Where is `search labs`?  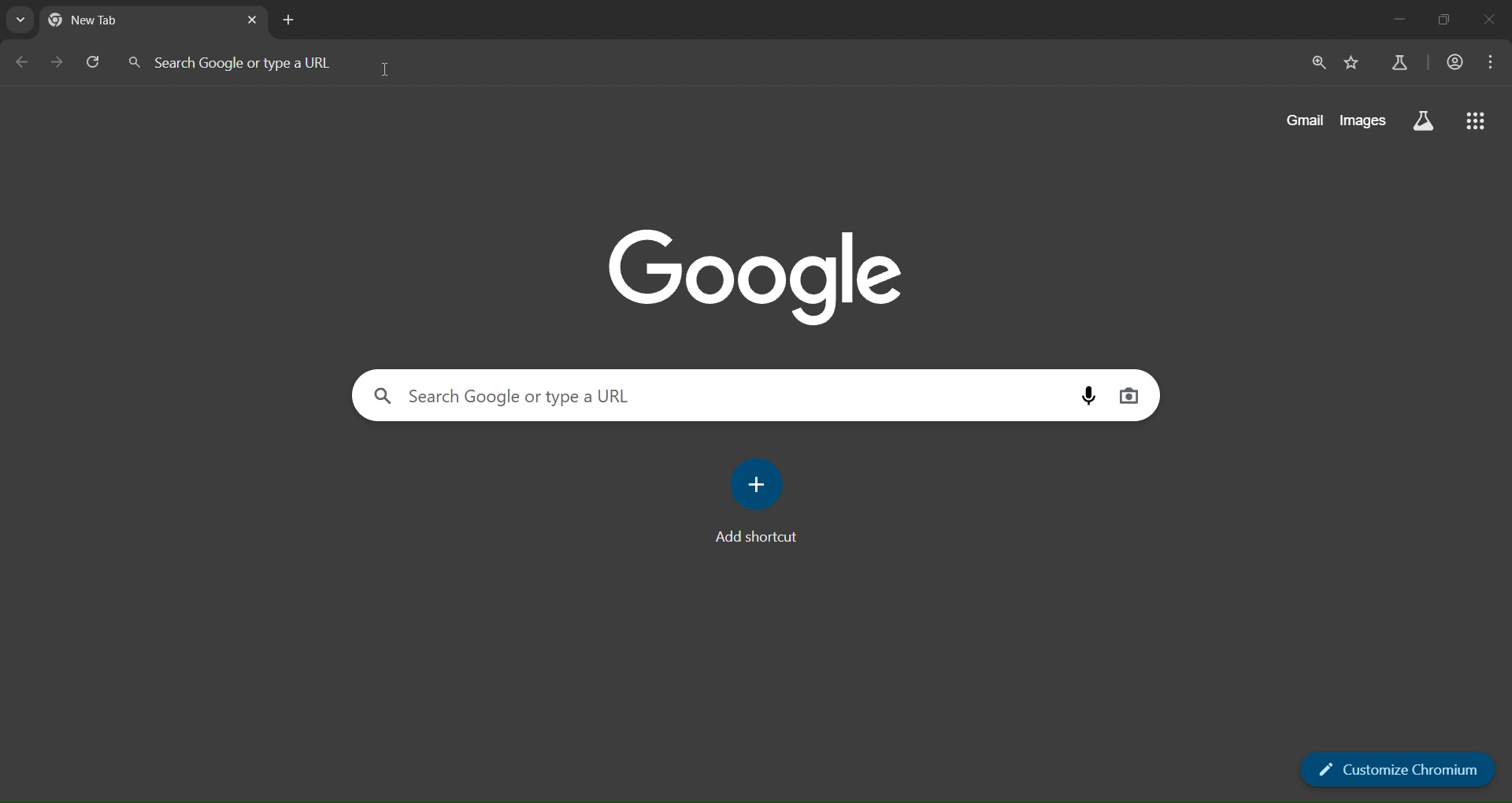
search labs is located at coordinates (1425, 124).